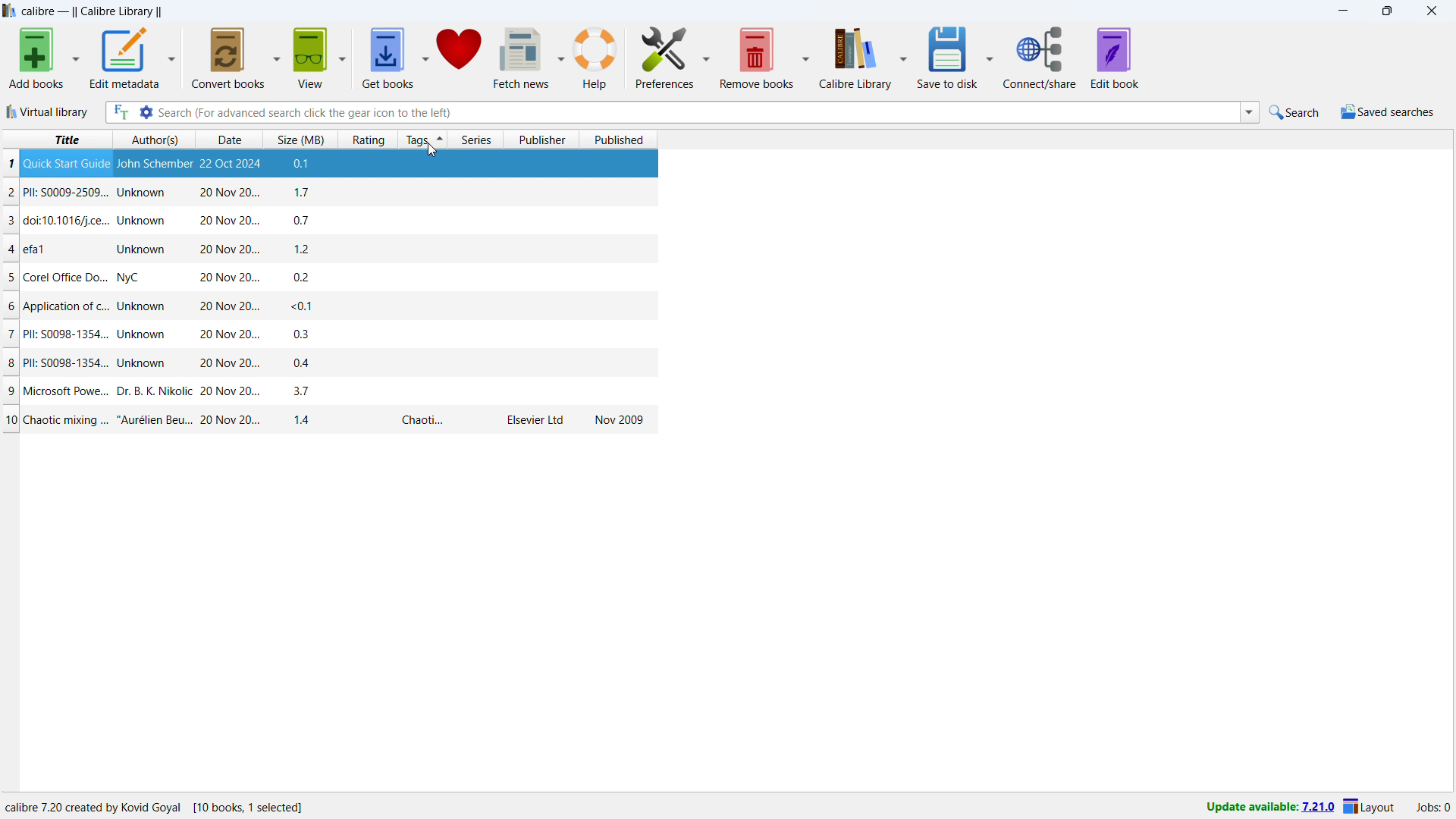 The image size is (1456, 819). What do you see at coordinates (48, 111) in the screenshot?
I see `virtual library` at bounding box center [48, 111].